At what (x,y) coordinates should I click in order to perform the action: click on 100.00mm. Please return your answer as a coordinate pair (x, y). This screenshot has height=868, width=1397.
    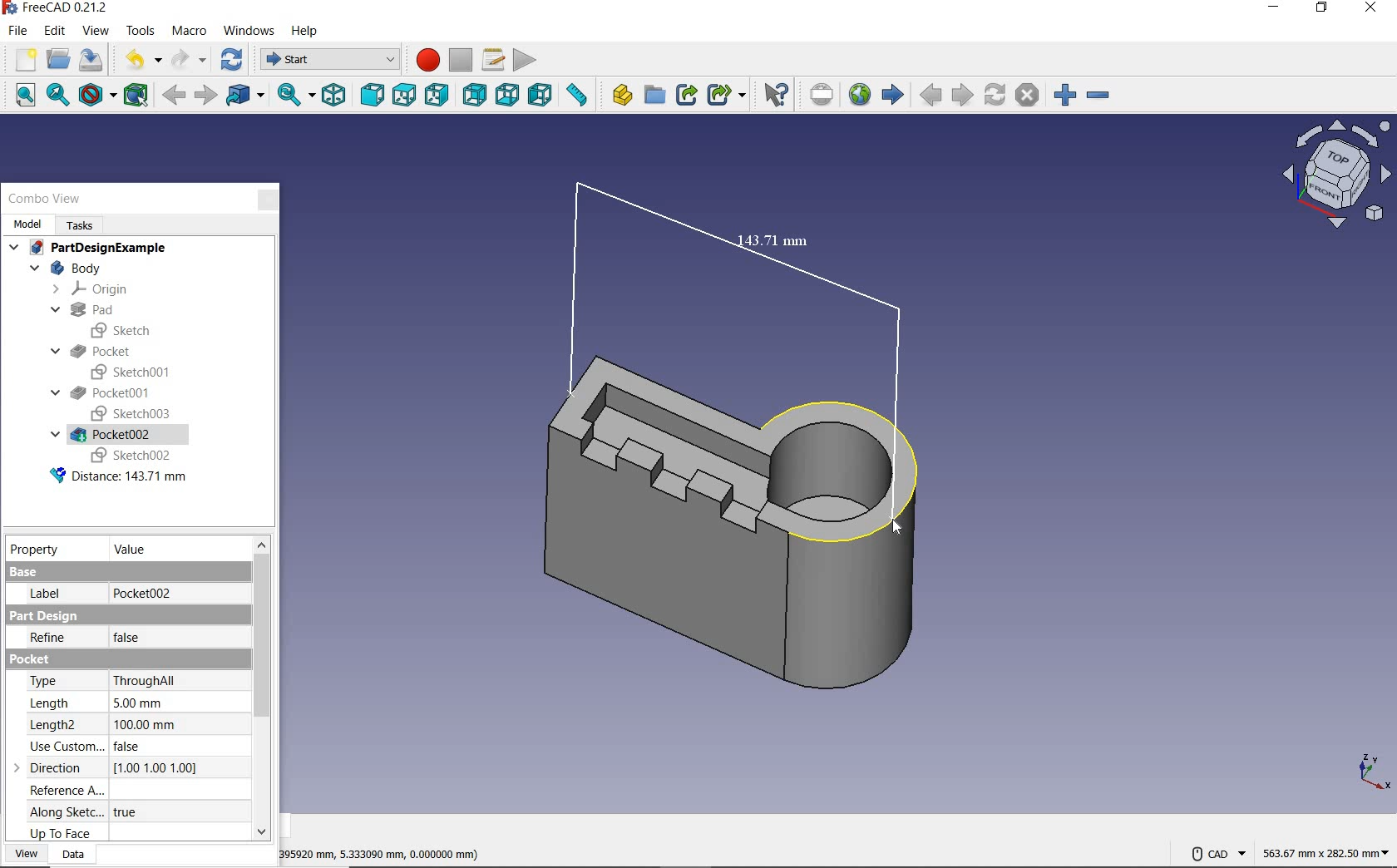
    Looking at the image, I should click on (146, 726).